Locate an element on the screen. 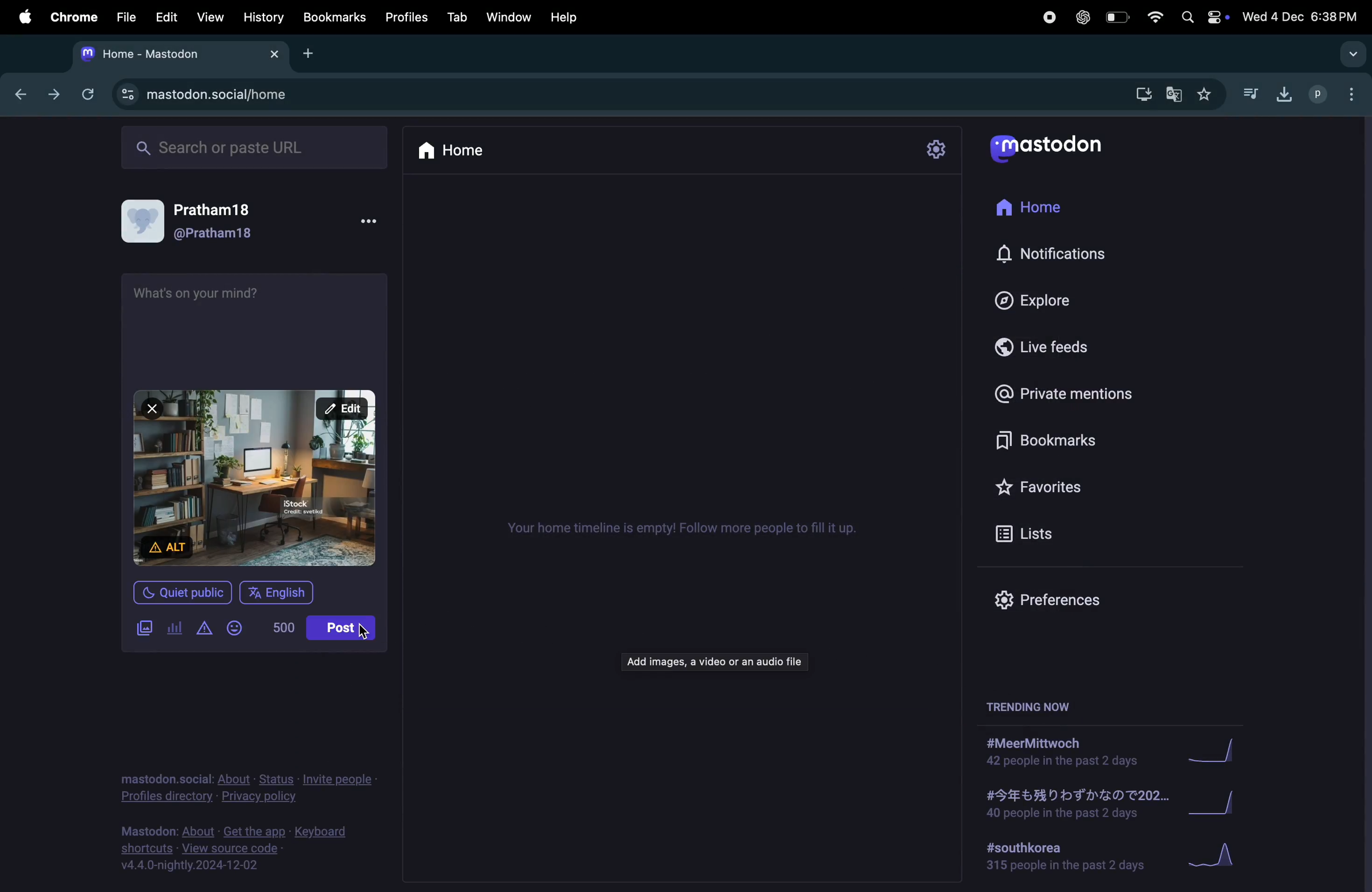 This screenshot has width=1372, height=892. live feeds is located at coordinates (1045, 349).